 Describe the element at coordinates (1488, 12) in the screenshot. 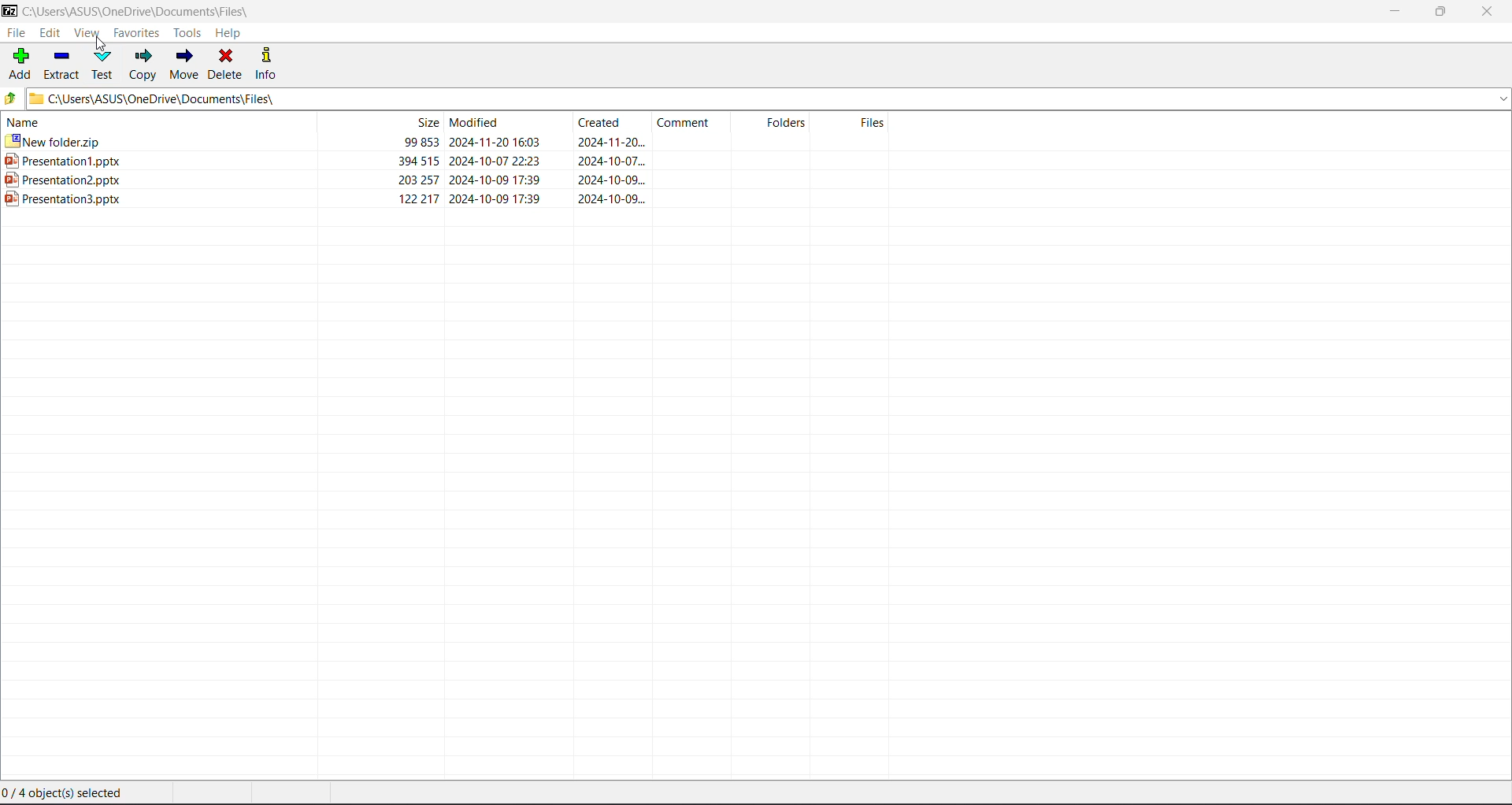

I see `Close` at that location.